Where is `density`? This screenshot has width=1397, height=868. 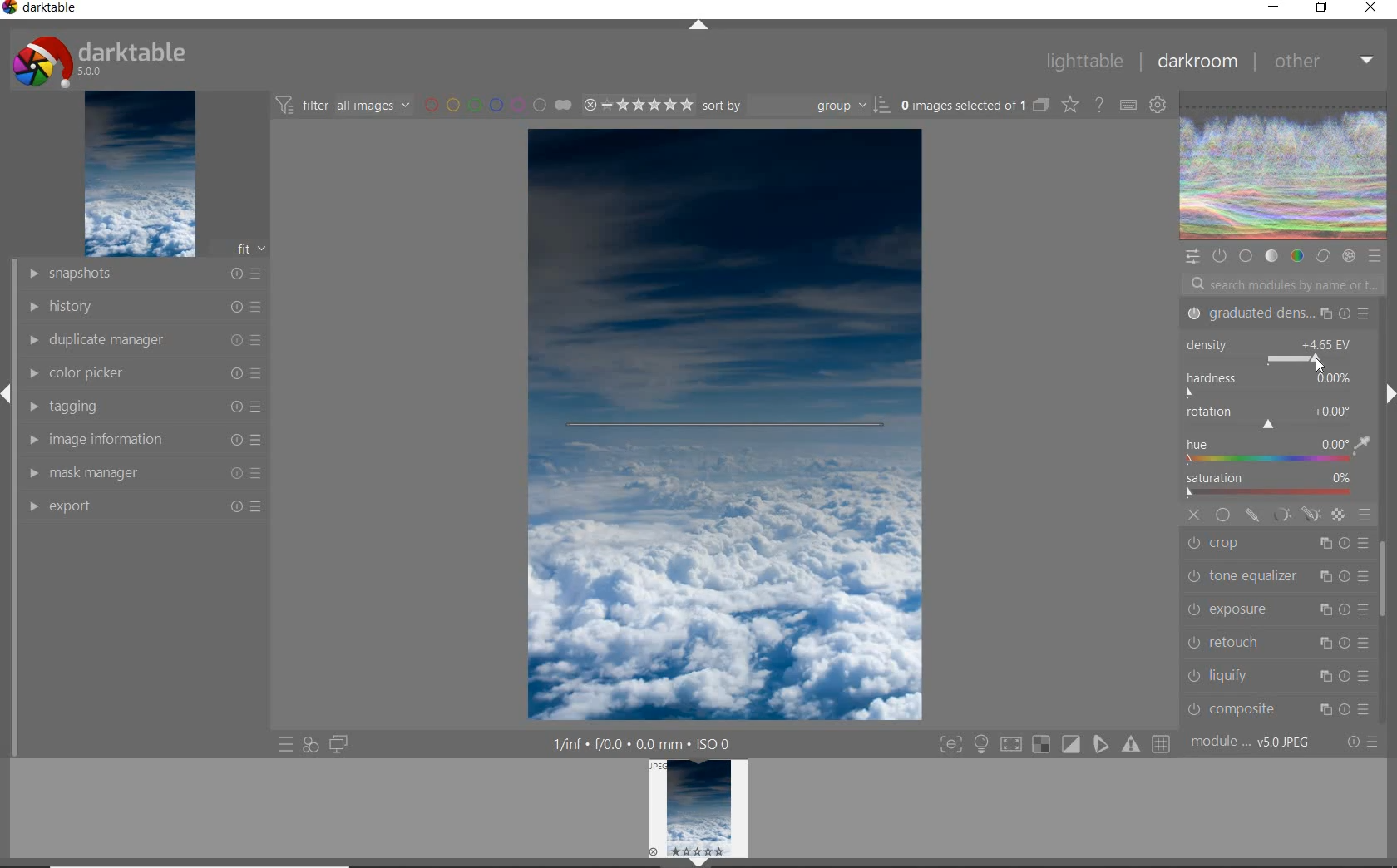 density is located at coordinates (1278, 353).